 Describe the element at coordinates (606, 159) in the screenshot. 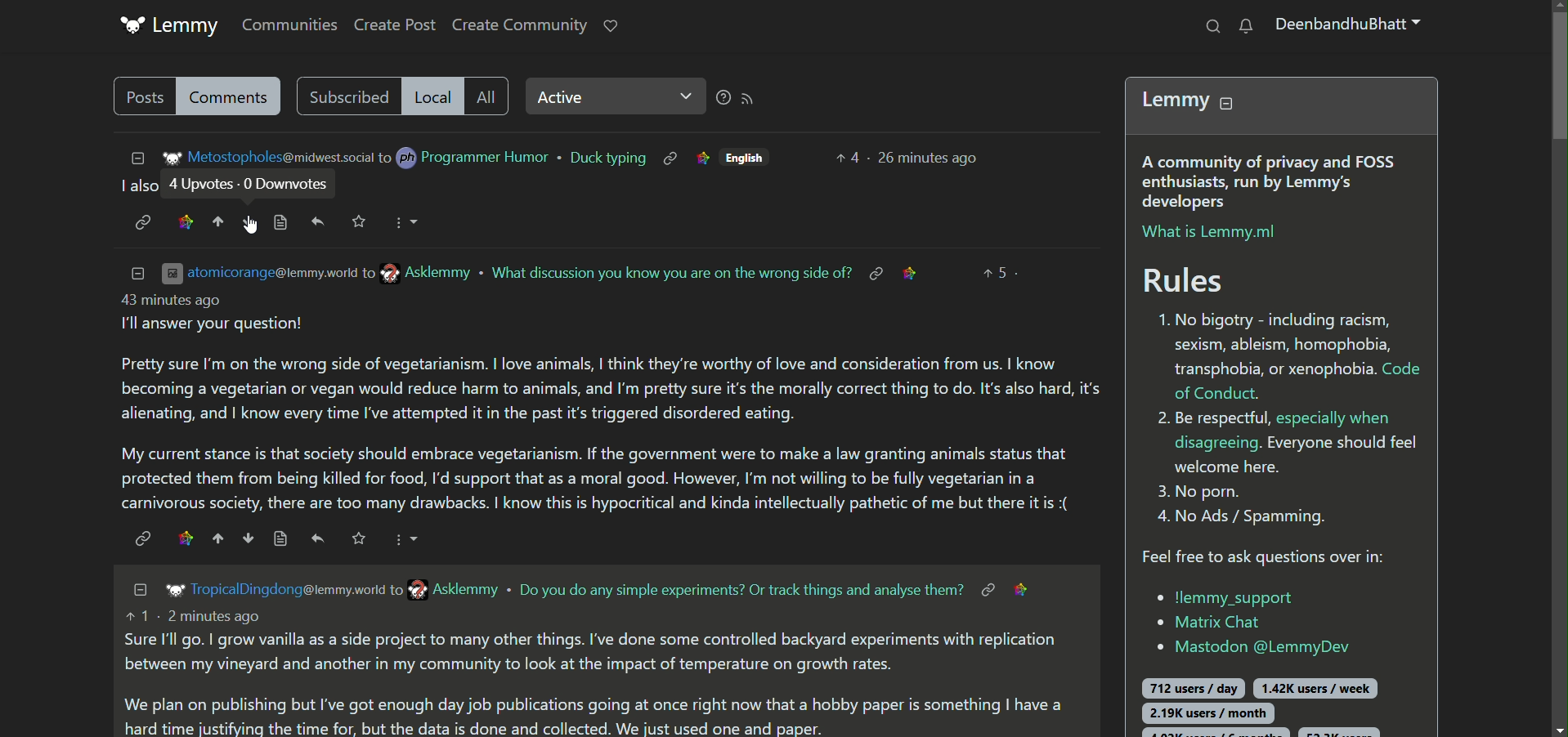

I see `type of typing` at that location.